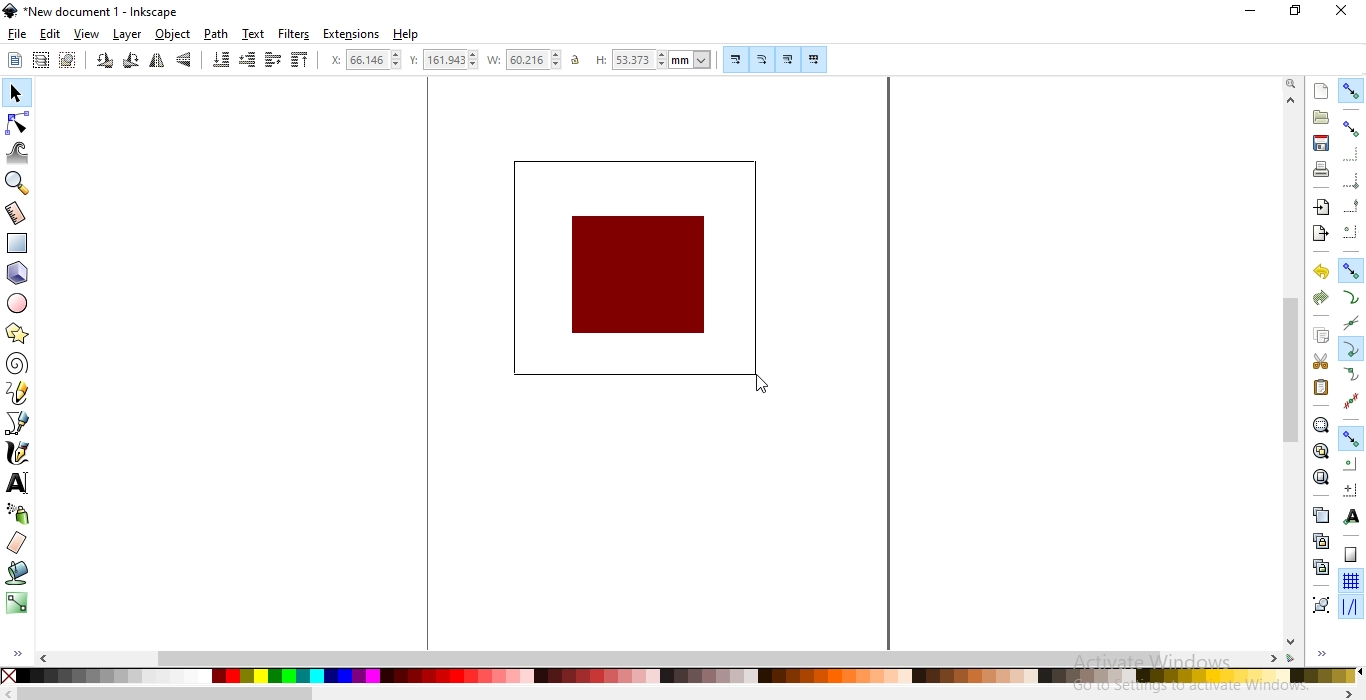 This screenshot has height=700, width=1366. I want to click on spray objects by sculpting or painting, so click(17, 514).